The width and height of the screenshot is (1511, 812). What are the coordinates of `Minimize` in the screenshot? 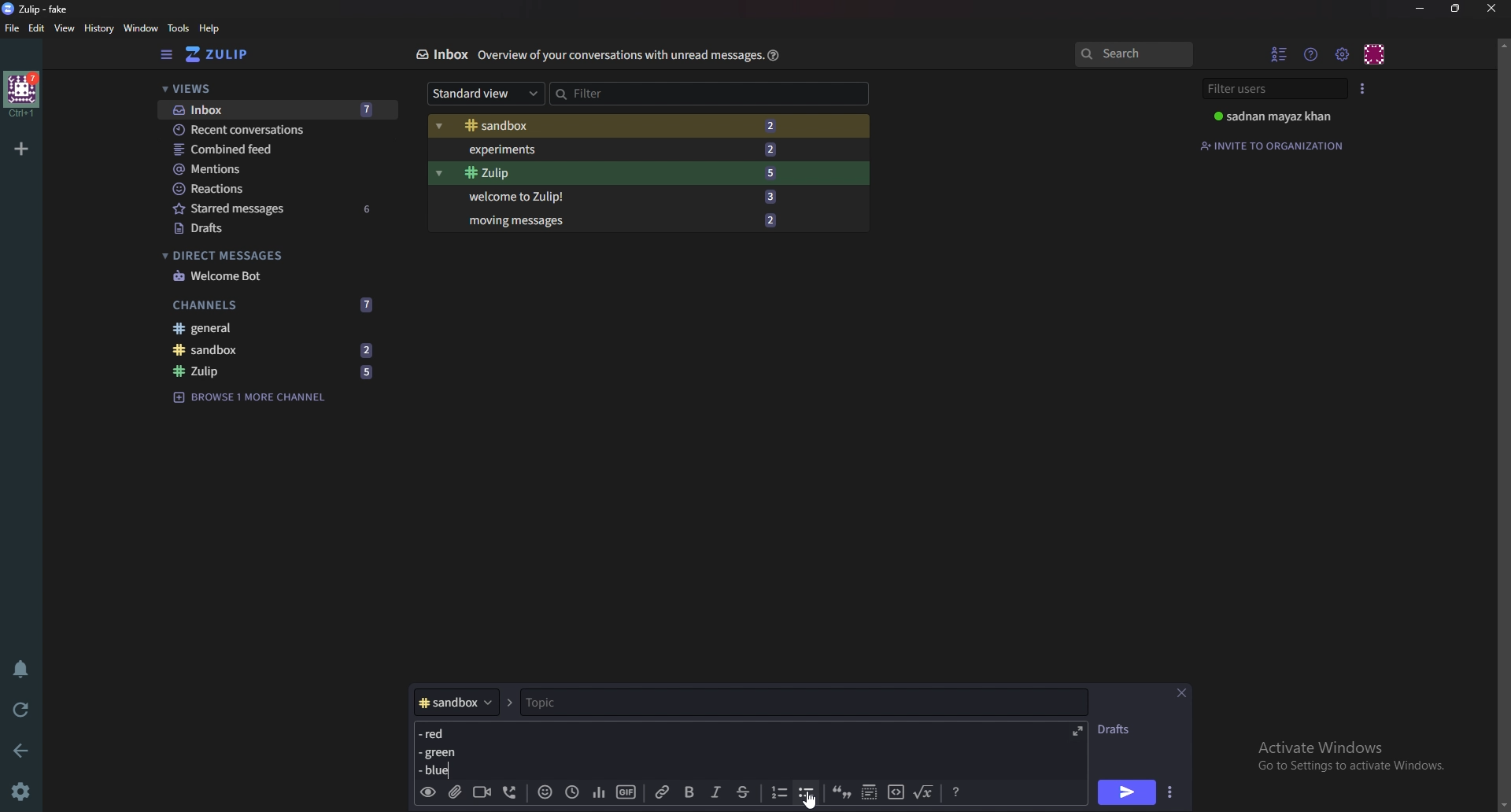 It's located at (1422, 9).